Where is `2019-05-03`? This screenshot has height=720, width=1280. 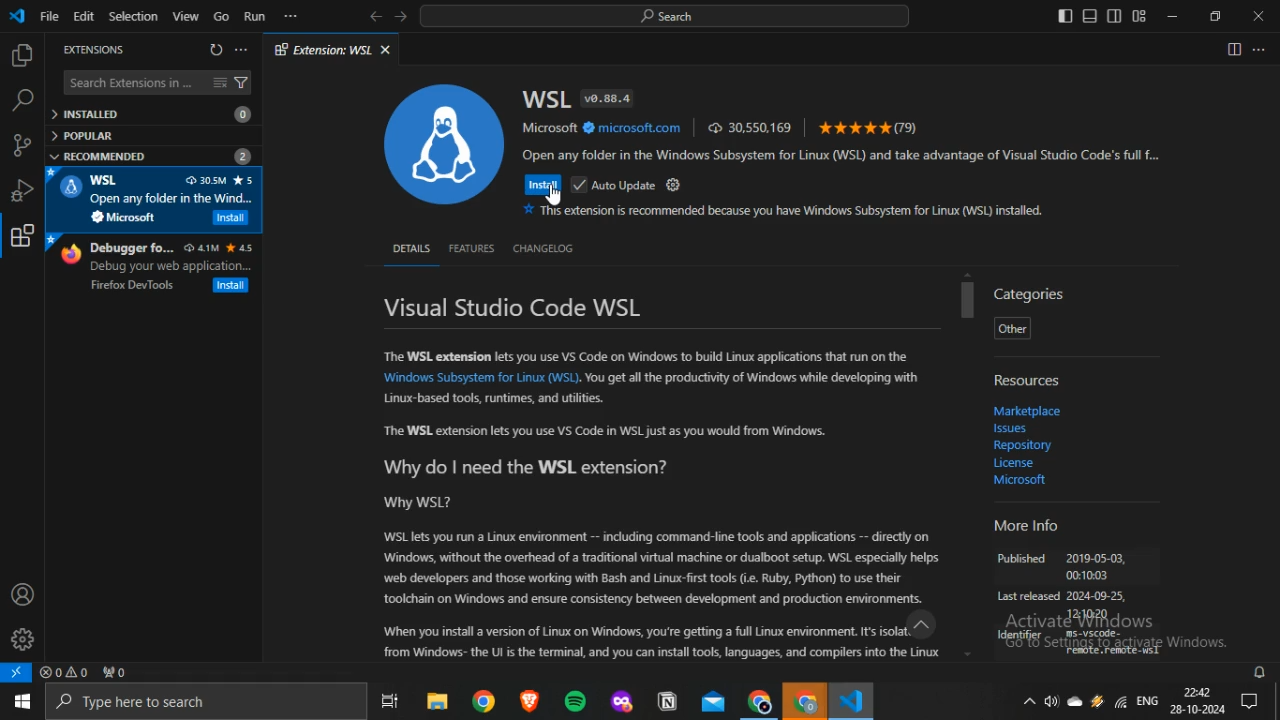
2019-05-03 is located at coordinates (1096, 558).